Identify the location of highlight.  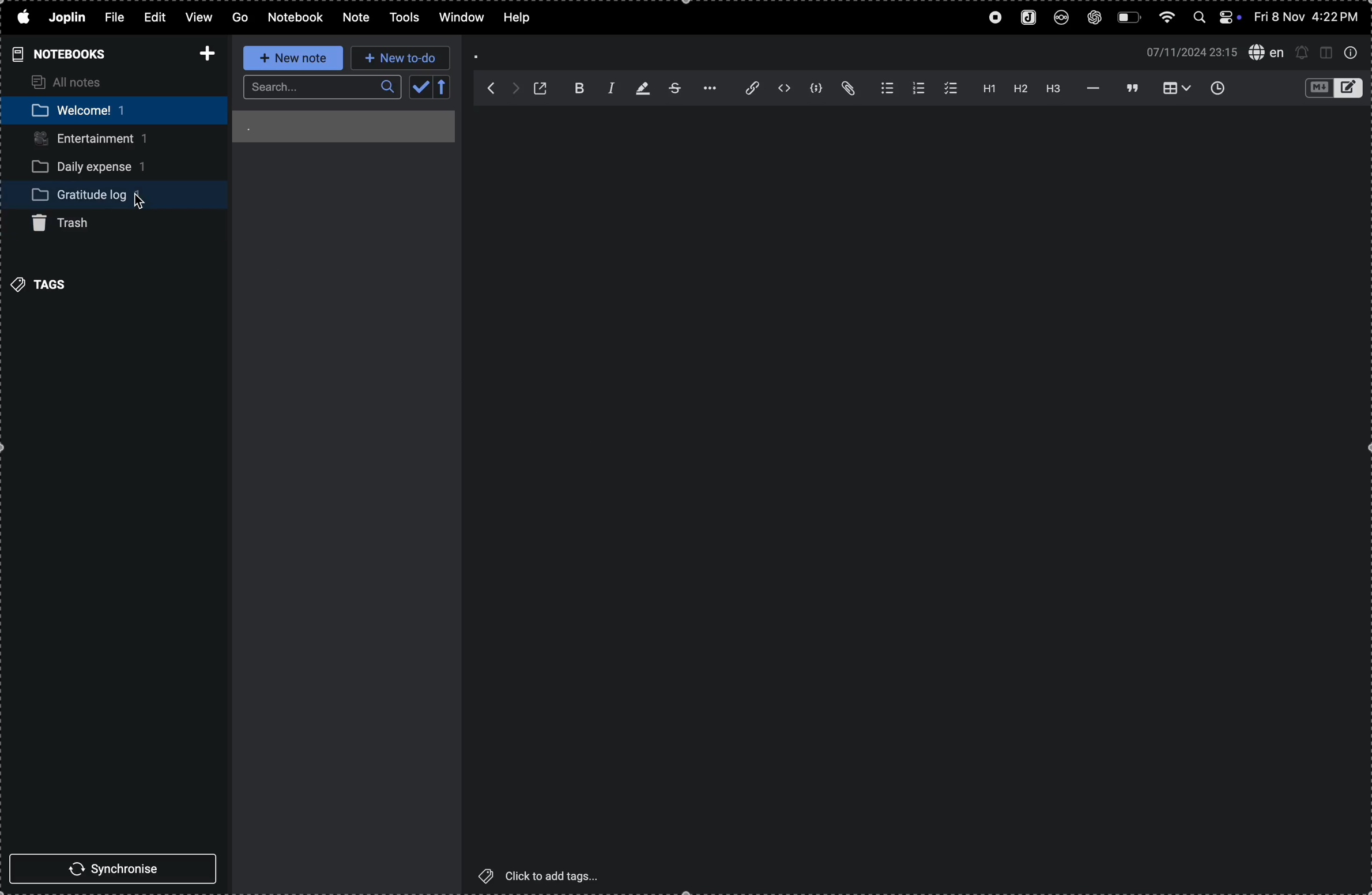
(640, 88).